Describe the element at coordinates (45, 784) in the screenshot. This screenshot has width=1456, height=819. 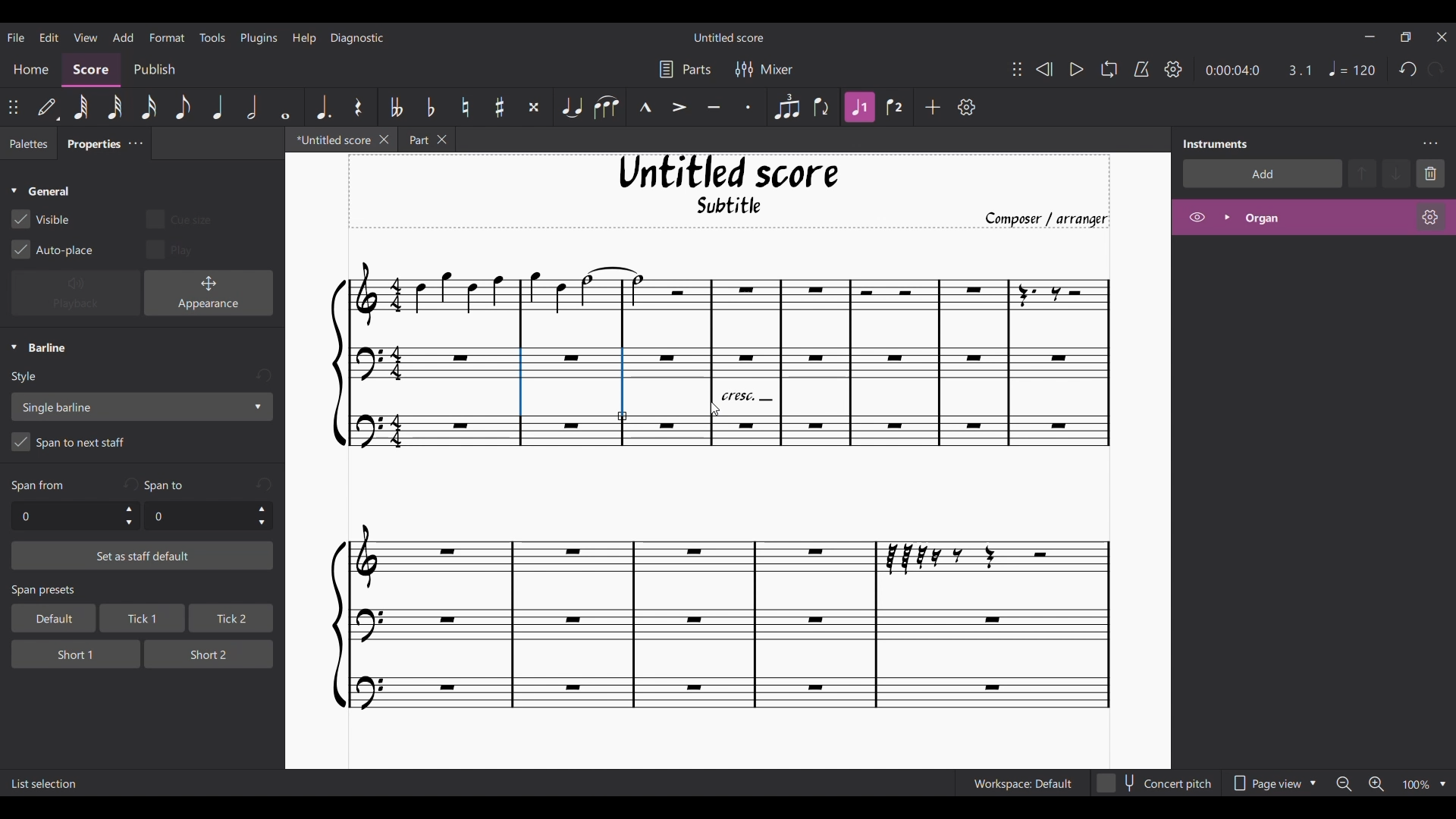
I see `Description of current selection` at that location.